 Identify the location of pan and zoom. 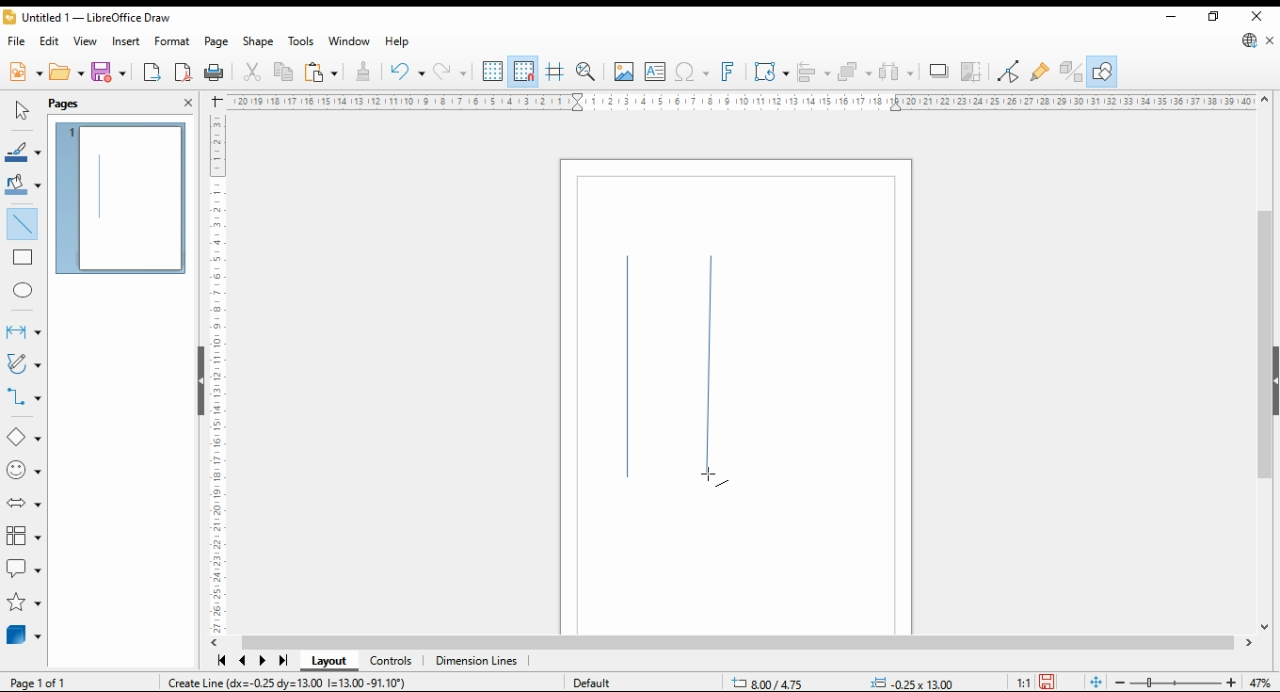
(586, 72).